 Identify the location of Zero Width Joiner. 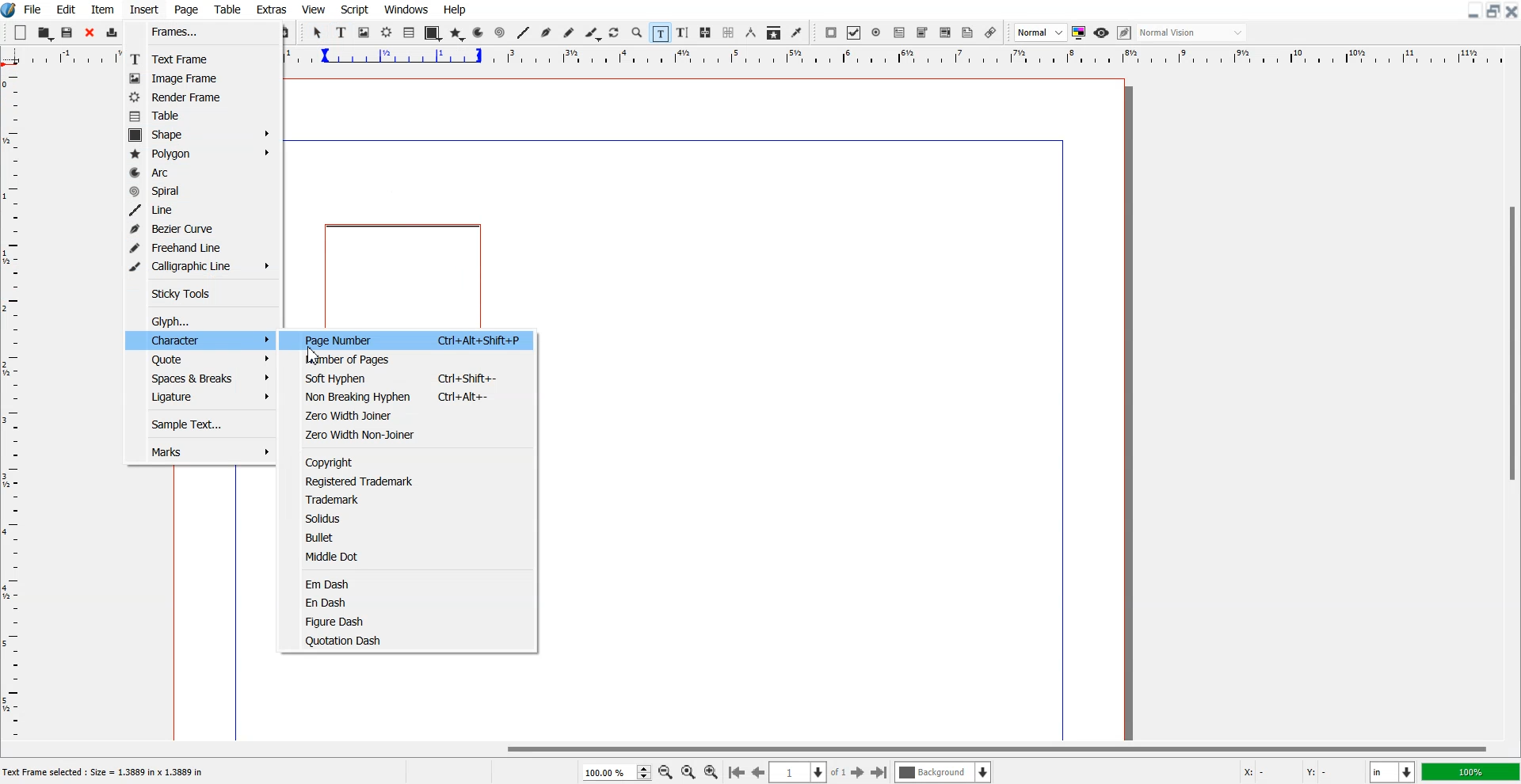
(414, 414).